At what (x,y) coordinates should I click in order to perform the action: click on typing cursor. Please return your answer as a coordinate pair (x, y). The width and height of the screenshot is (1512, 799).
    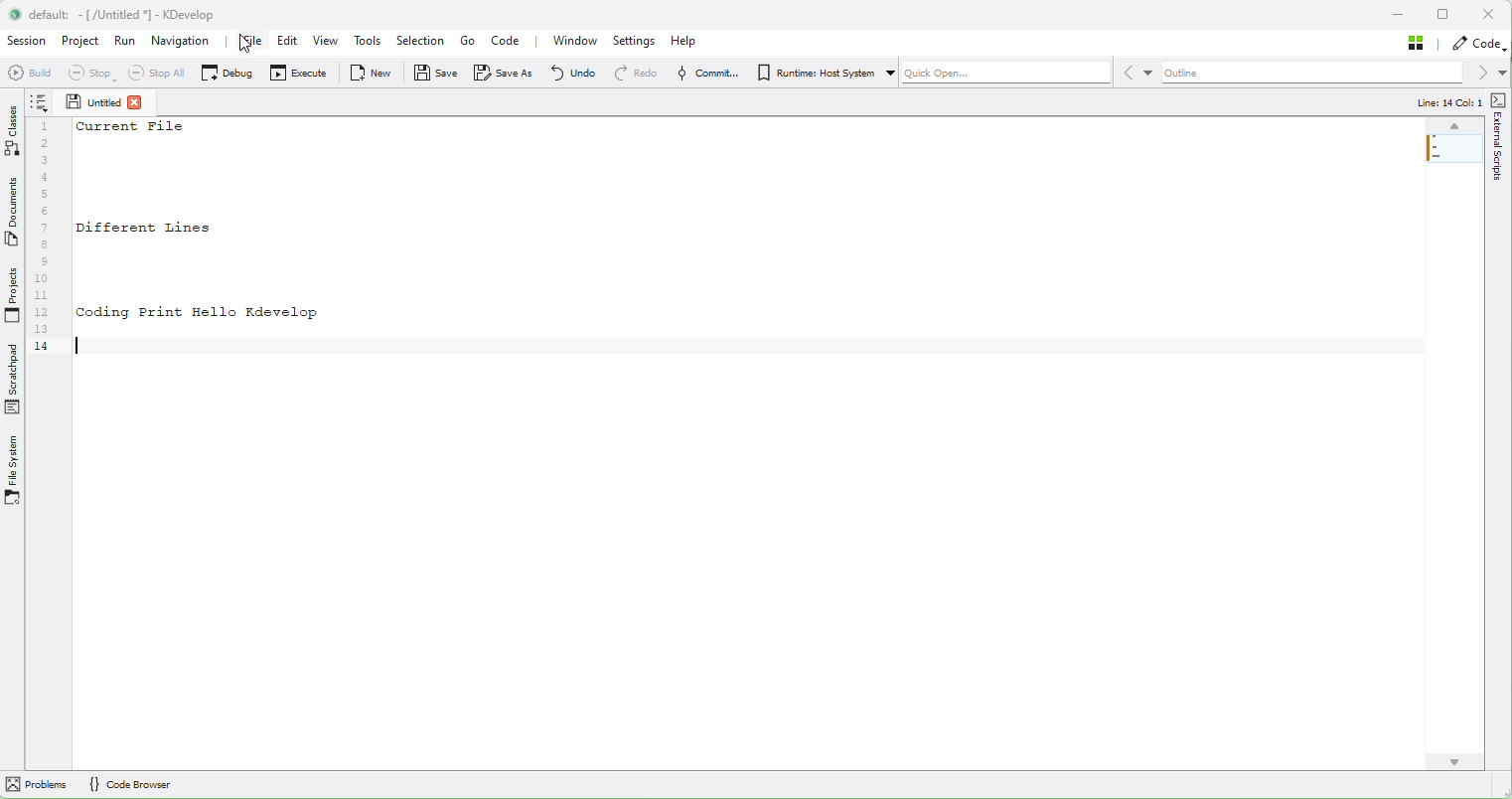
    Looking at the image, I should click on (76, 343).